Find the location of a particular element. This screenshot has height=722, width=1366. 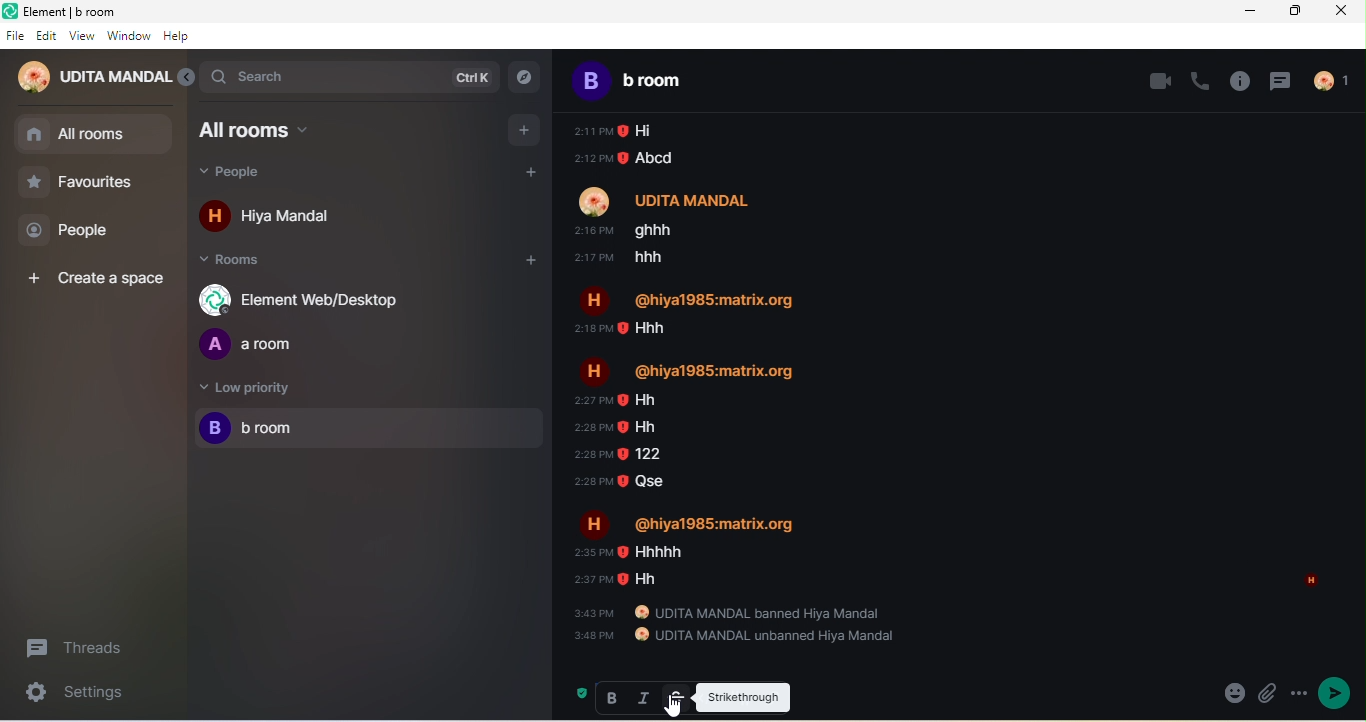

all rooms is located at coordinates (275, 130).